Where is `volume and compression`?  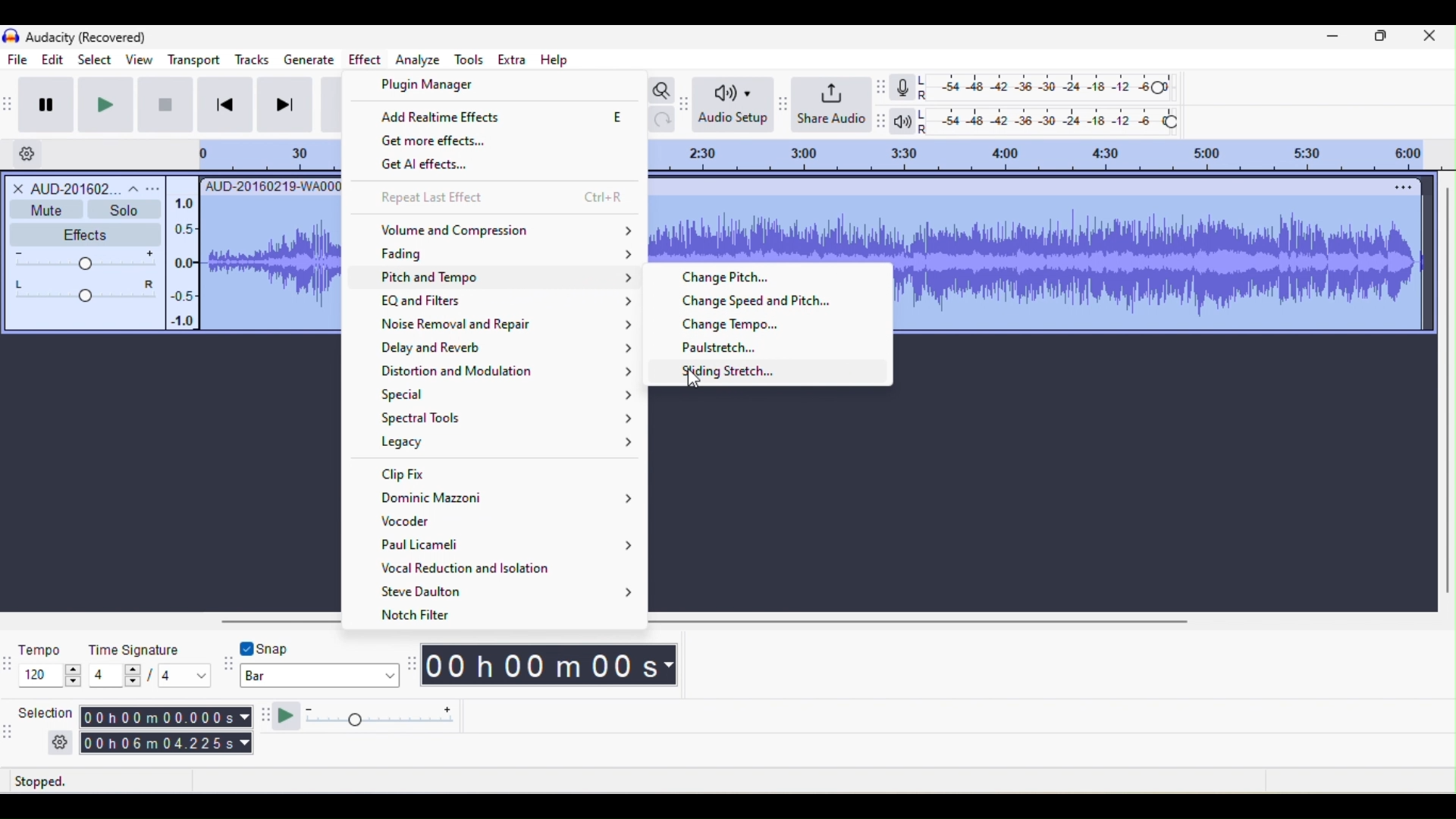 volume and compression is located at coordinates (505, 232).